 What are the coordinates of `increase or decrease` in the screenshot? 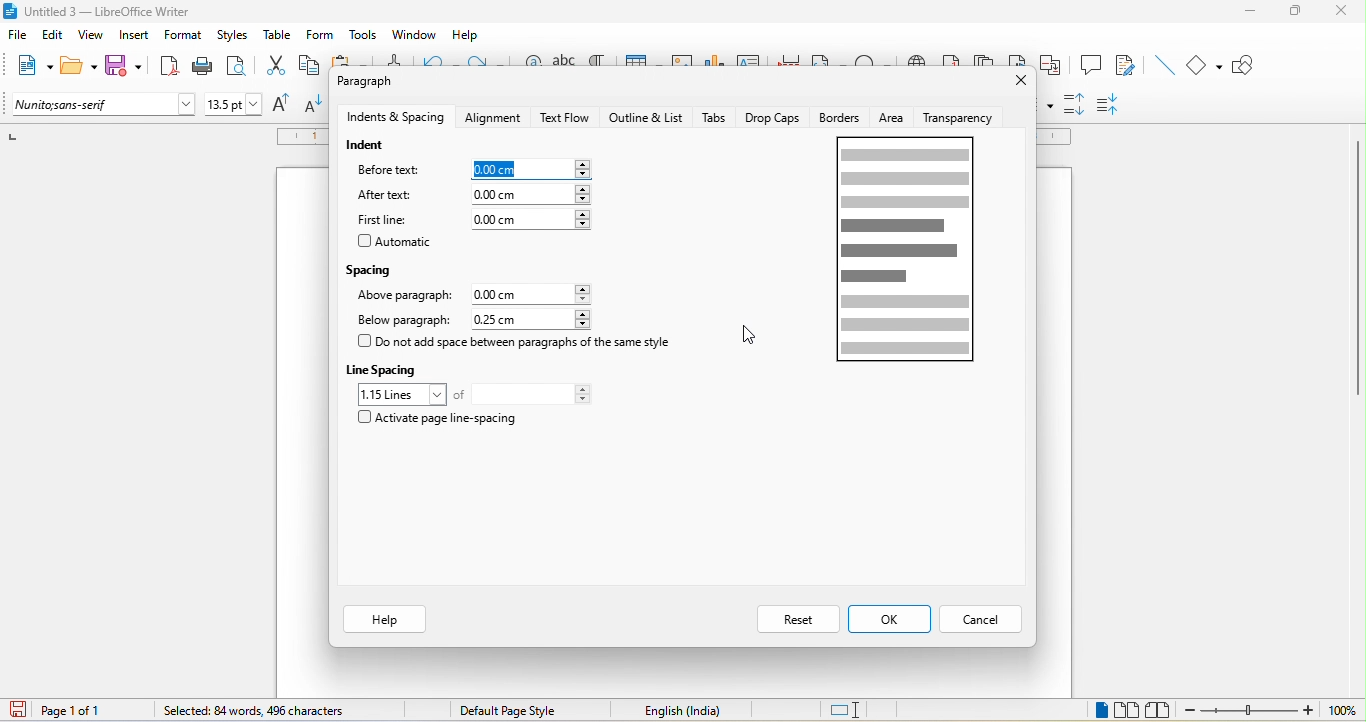 It's located at (581, 295).